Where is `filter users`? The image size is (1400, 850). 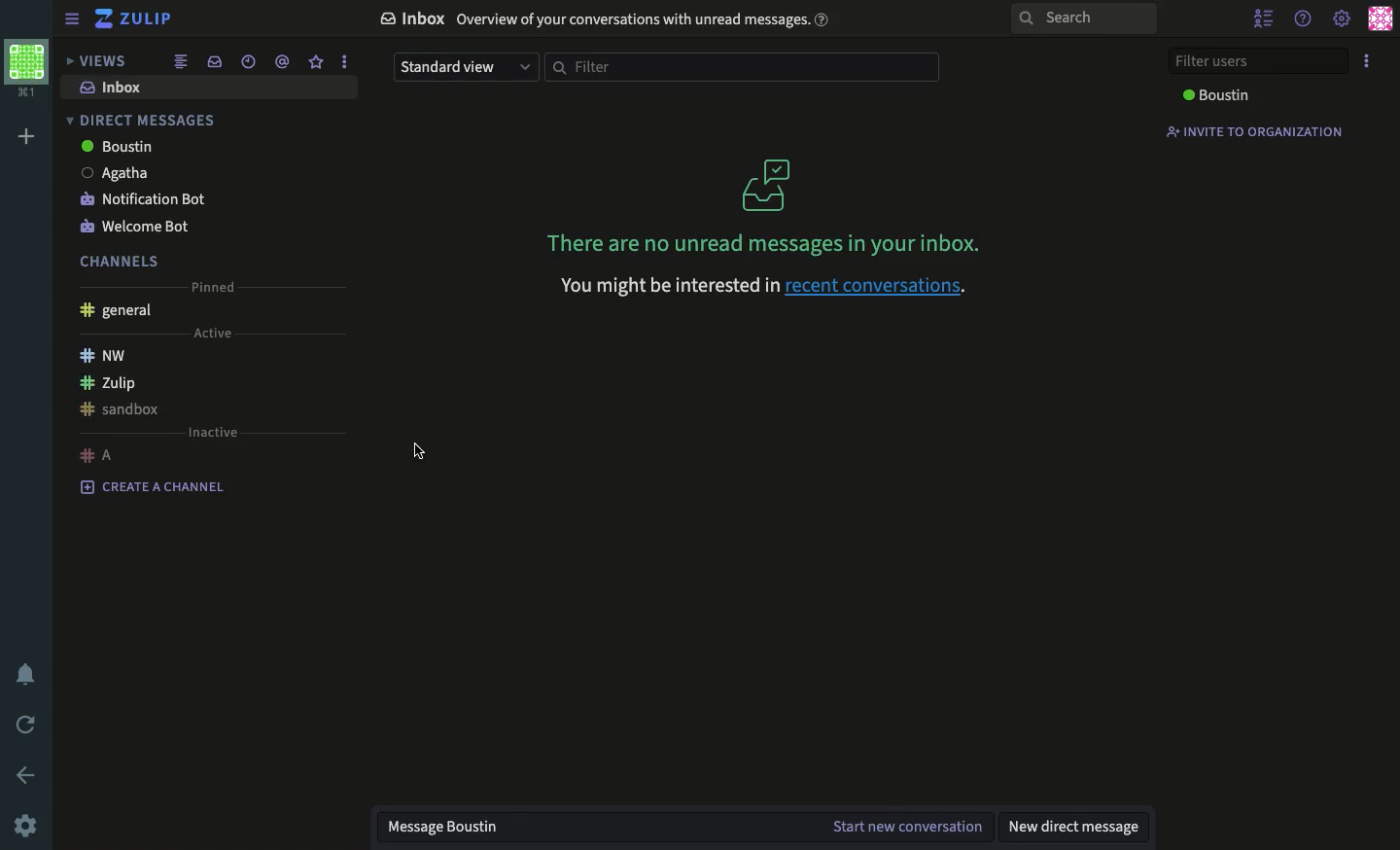
filter users is located at coordinates (1254, 60).